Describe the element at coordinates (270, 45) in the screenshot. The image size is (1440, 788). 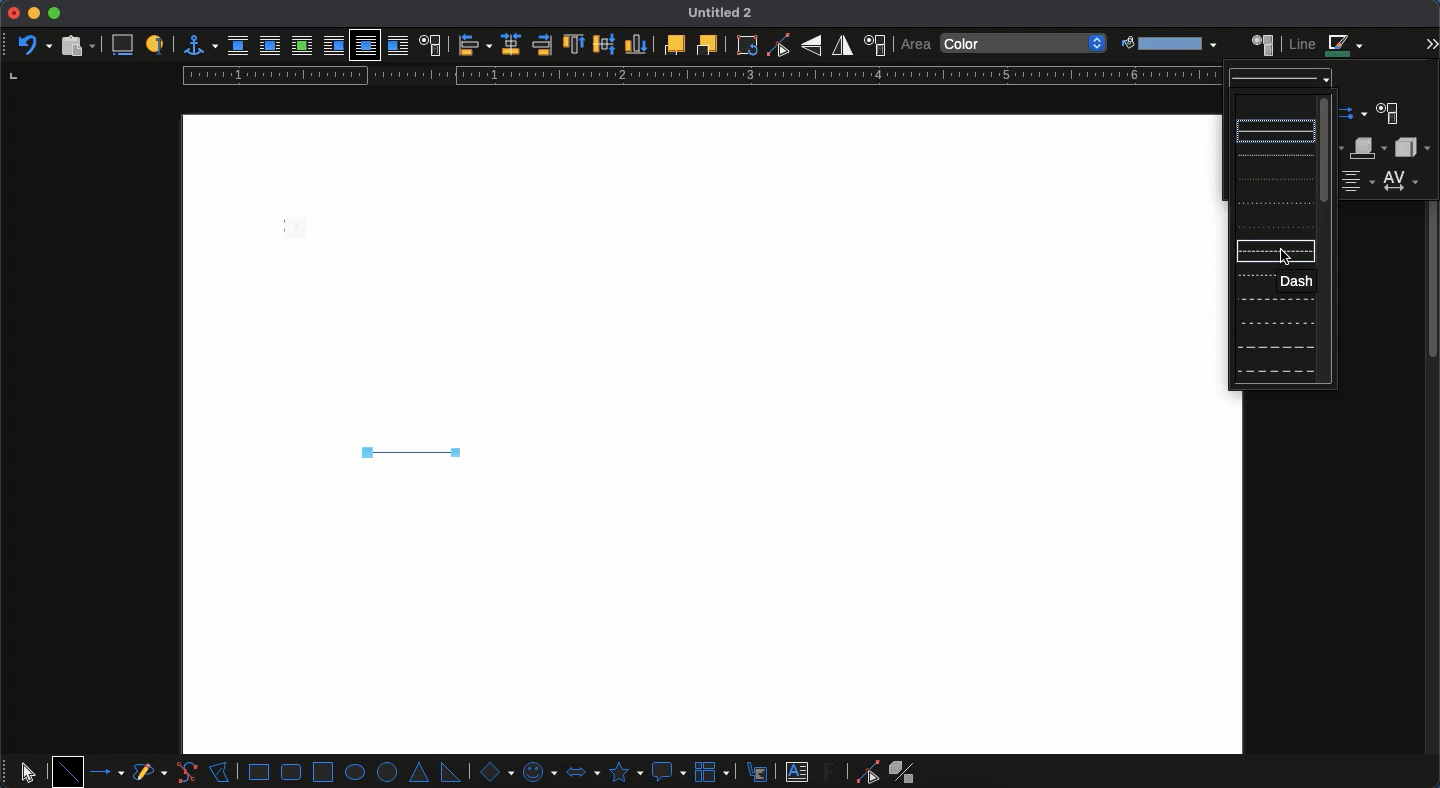
I see `parallel` at that location.